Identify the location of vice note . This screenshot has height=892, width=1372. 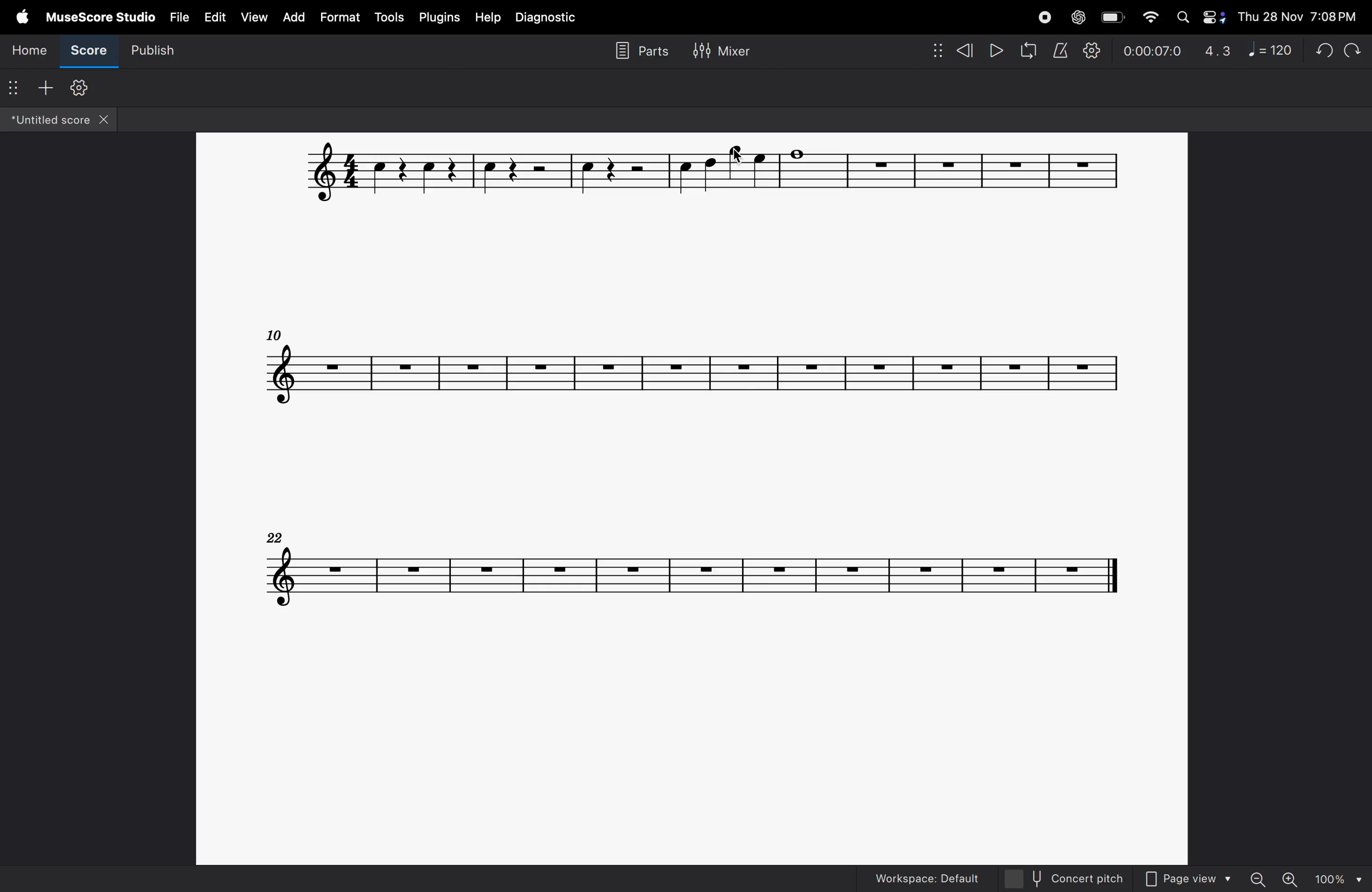
(216, 879).